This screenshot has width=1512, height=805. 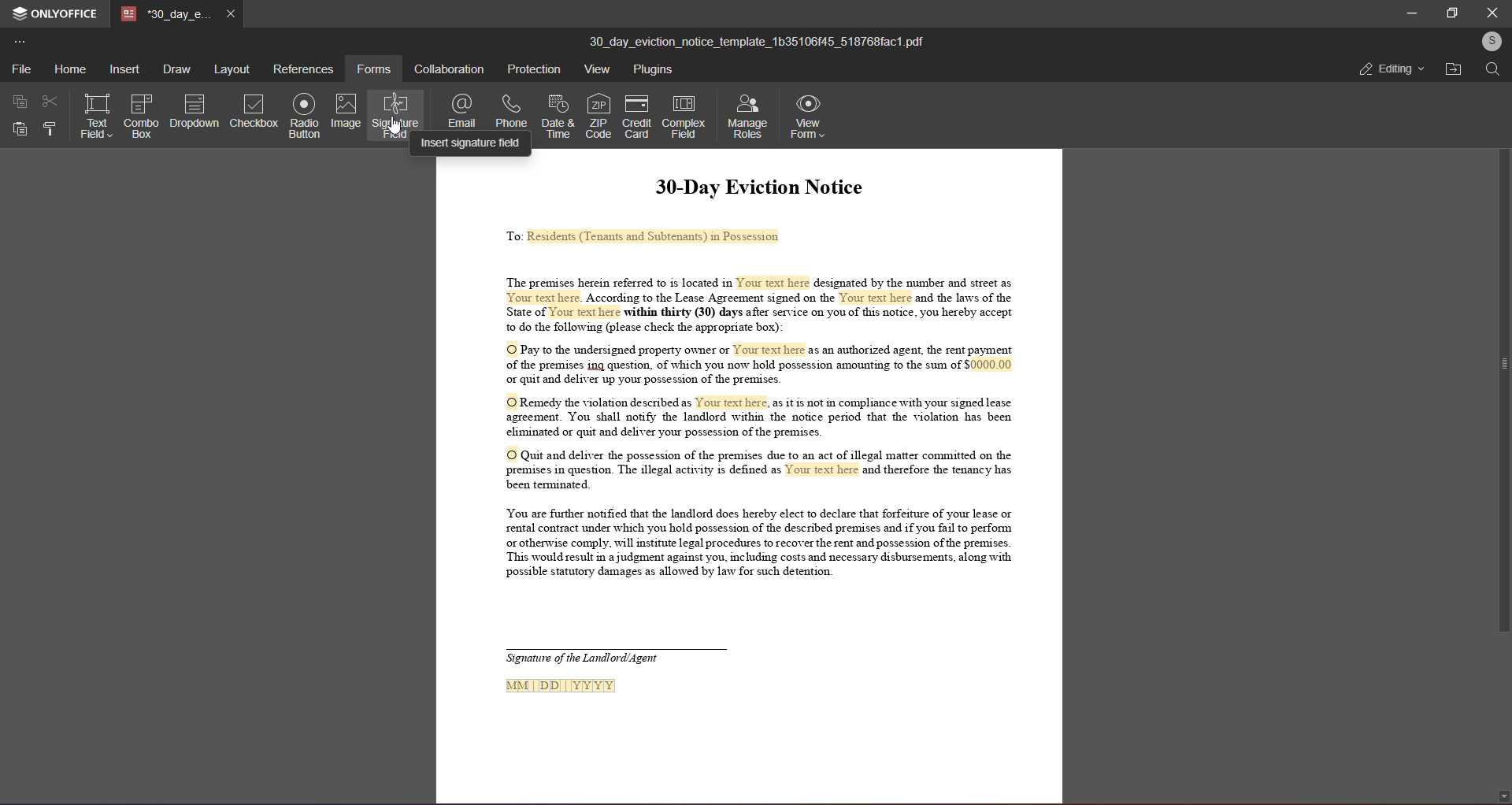 What do you see at coordinates (97, 113) in the screenshot?
I see `text field` at bounding box center [97, 113].